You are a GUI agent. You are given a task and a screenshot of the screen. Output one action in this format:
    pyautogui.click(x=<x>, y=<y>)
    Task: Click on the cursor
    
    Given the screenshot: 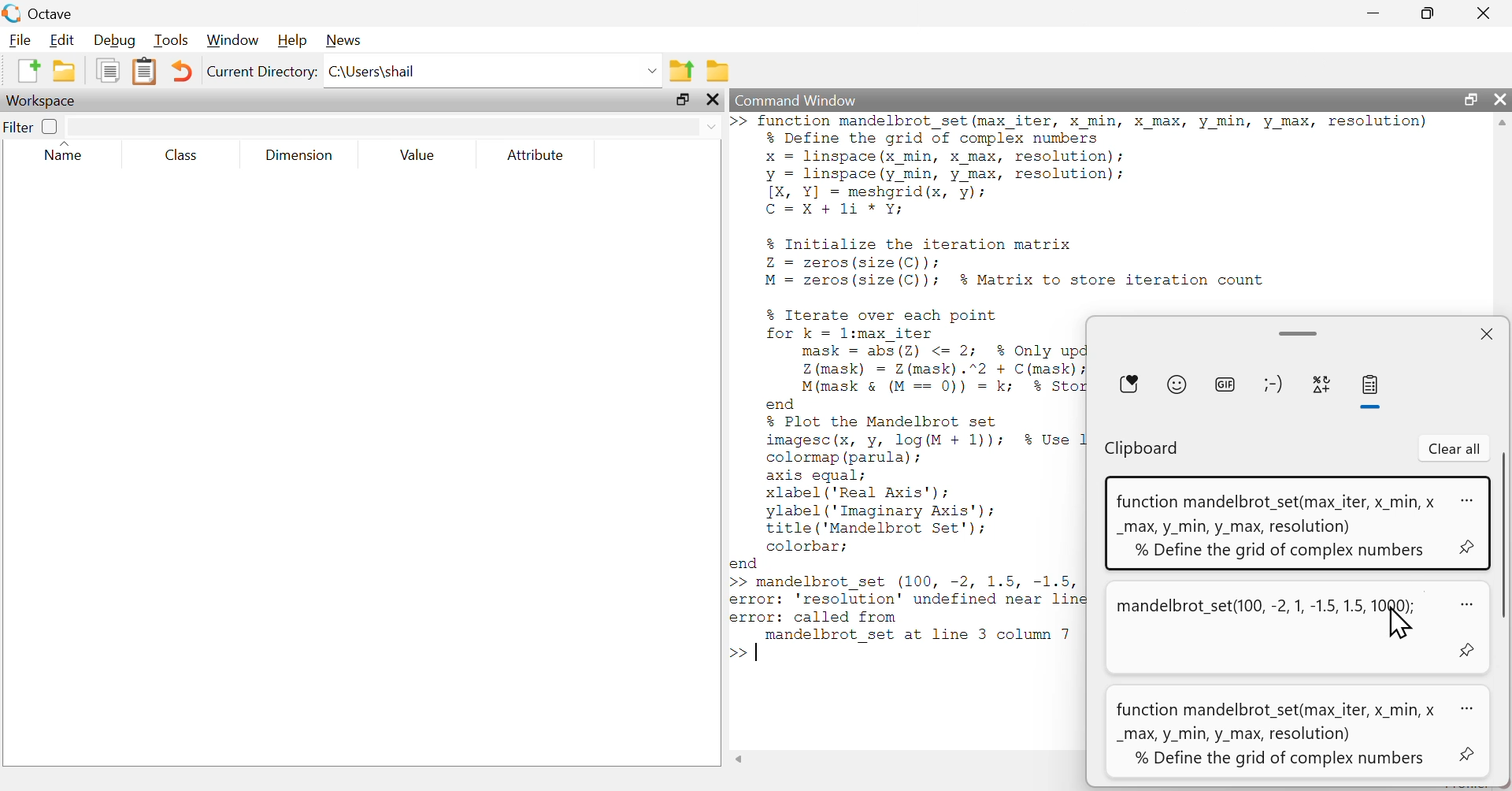 What is the action you would take?
    pyautogui.click(x=1398, y=626)
    